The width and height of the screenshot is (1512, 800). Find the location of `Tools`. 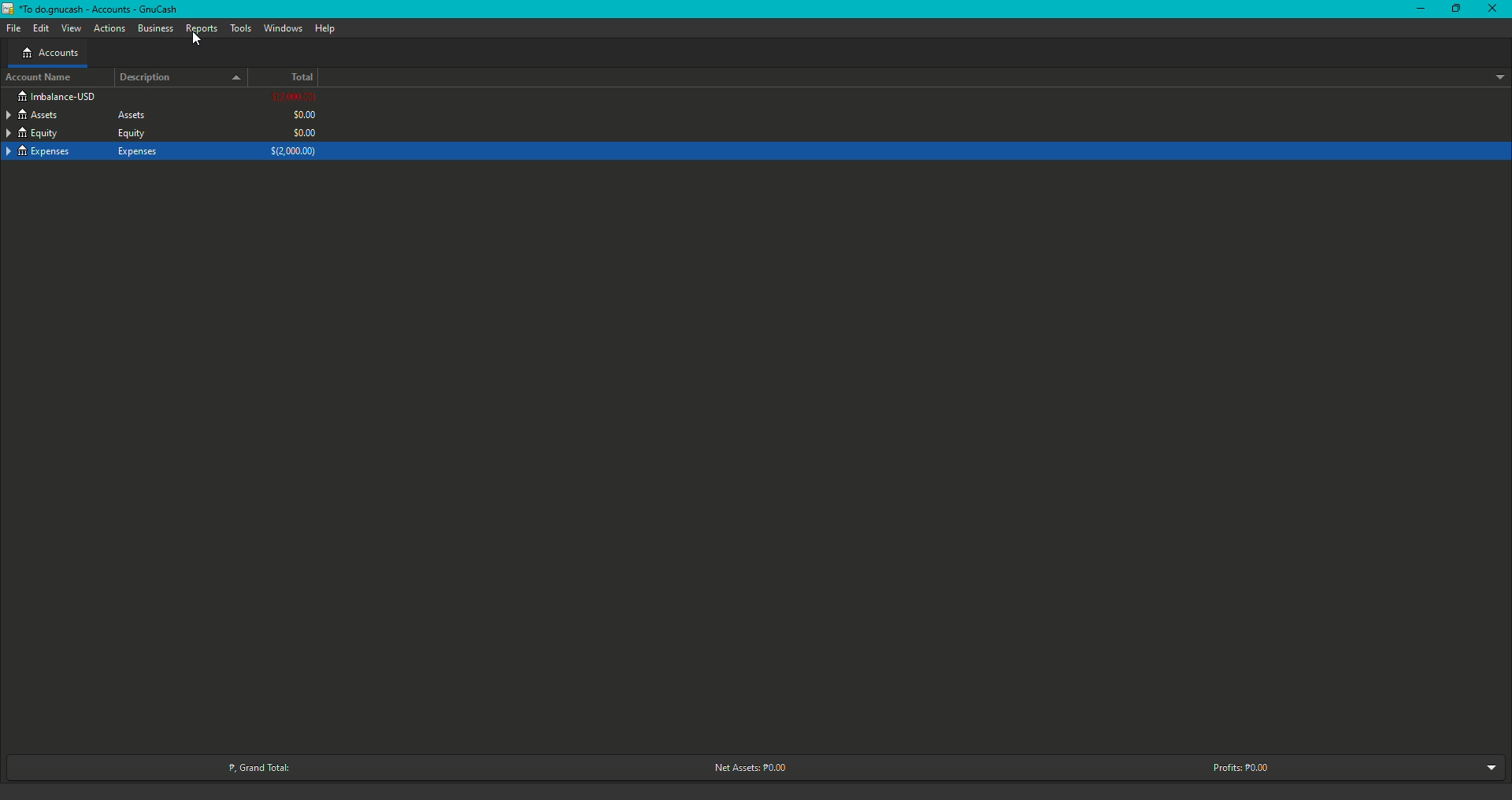

Tools is located at coordinates (241, 28).